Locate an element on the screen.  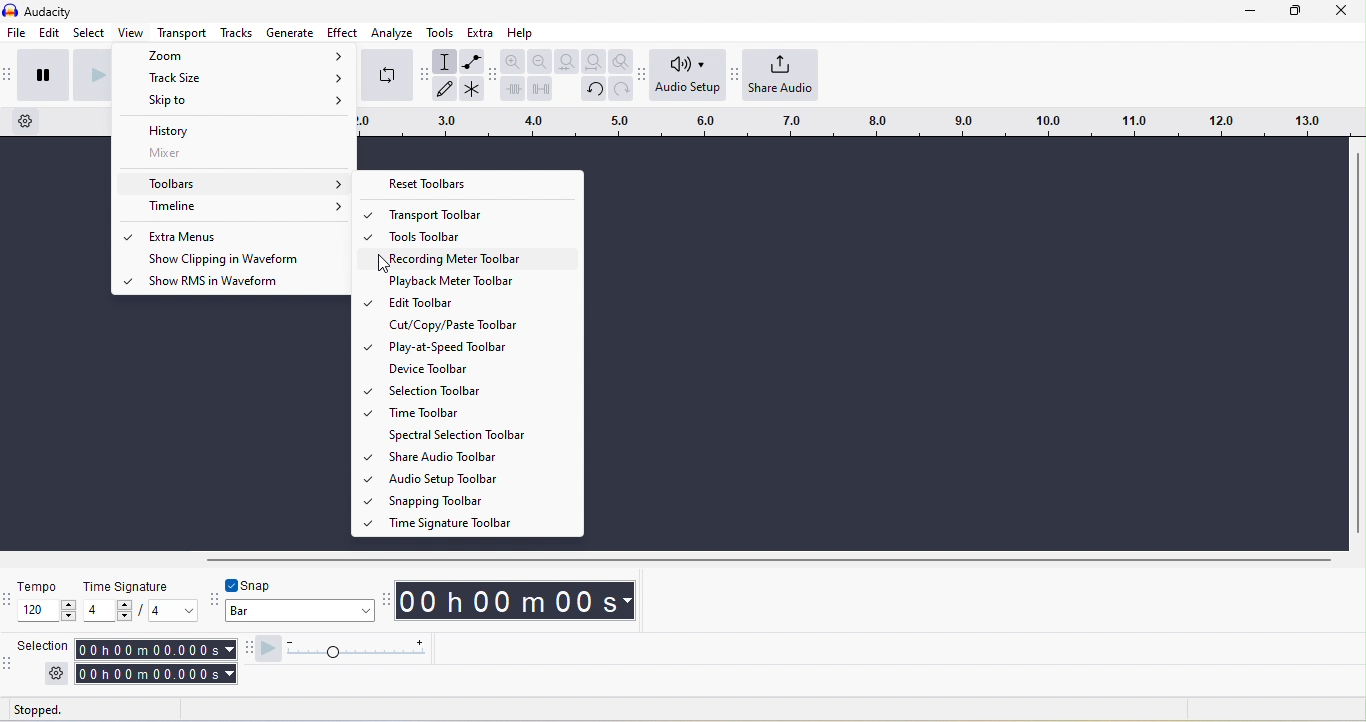
selection end time is located at coordinates (157, 674).